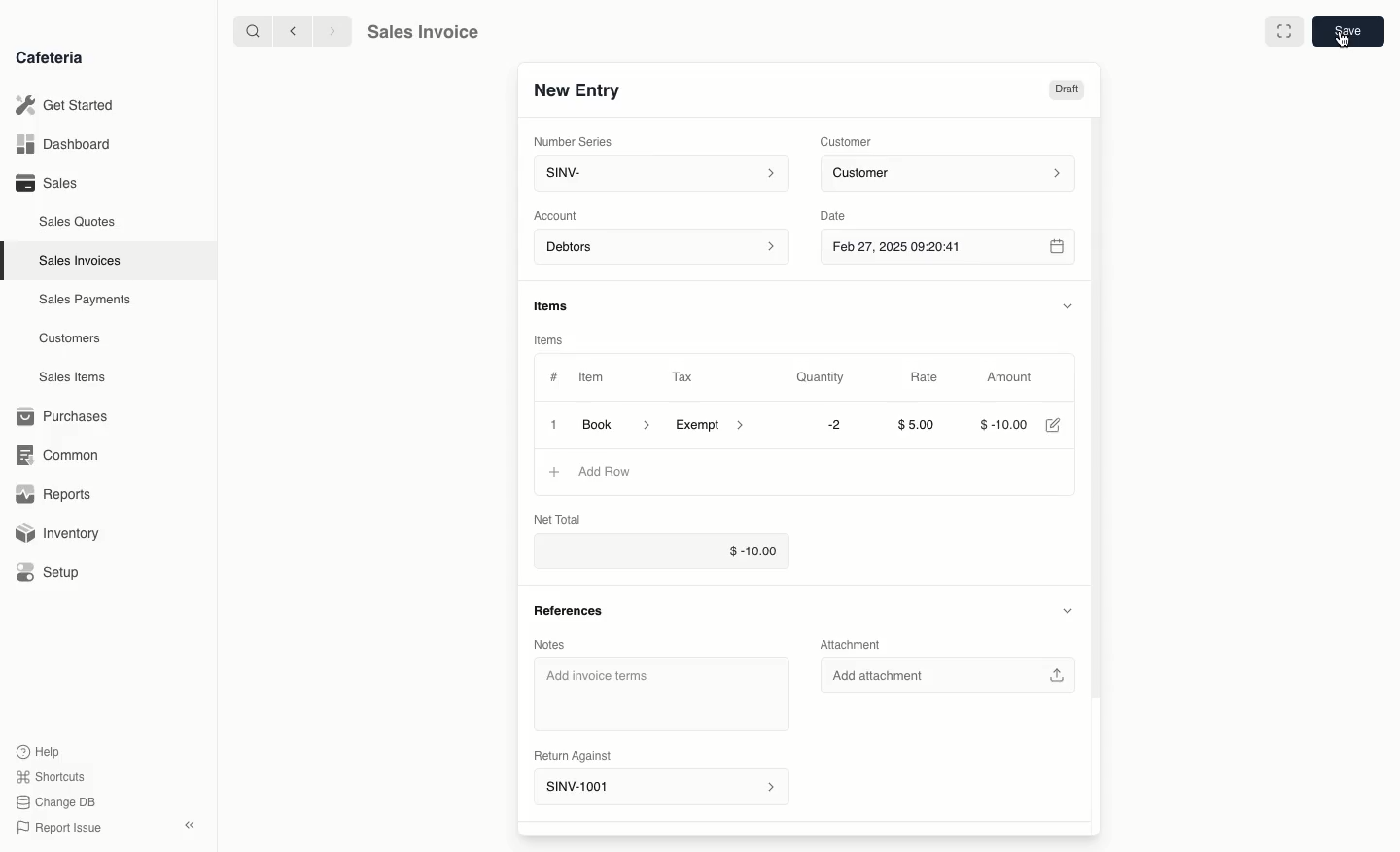  I want to click on Tax, so click(684, 377).